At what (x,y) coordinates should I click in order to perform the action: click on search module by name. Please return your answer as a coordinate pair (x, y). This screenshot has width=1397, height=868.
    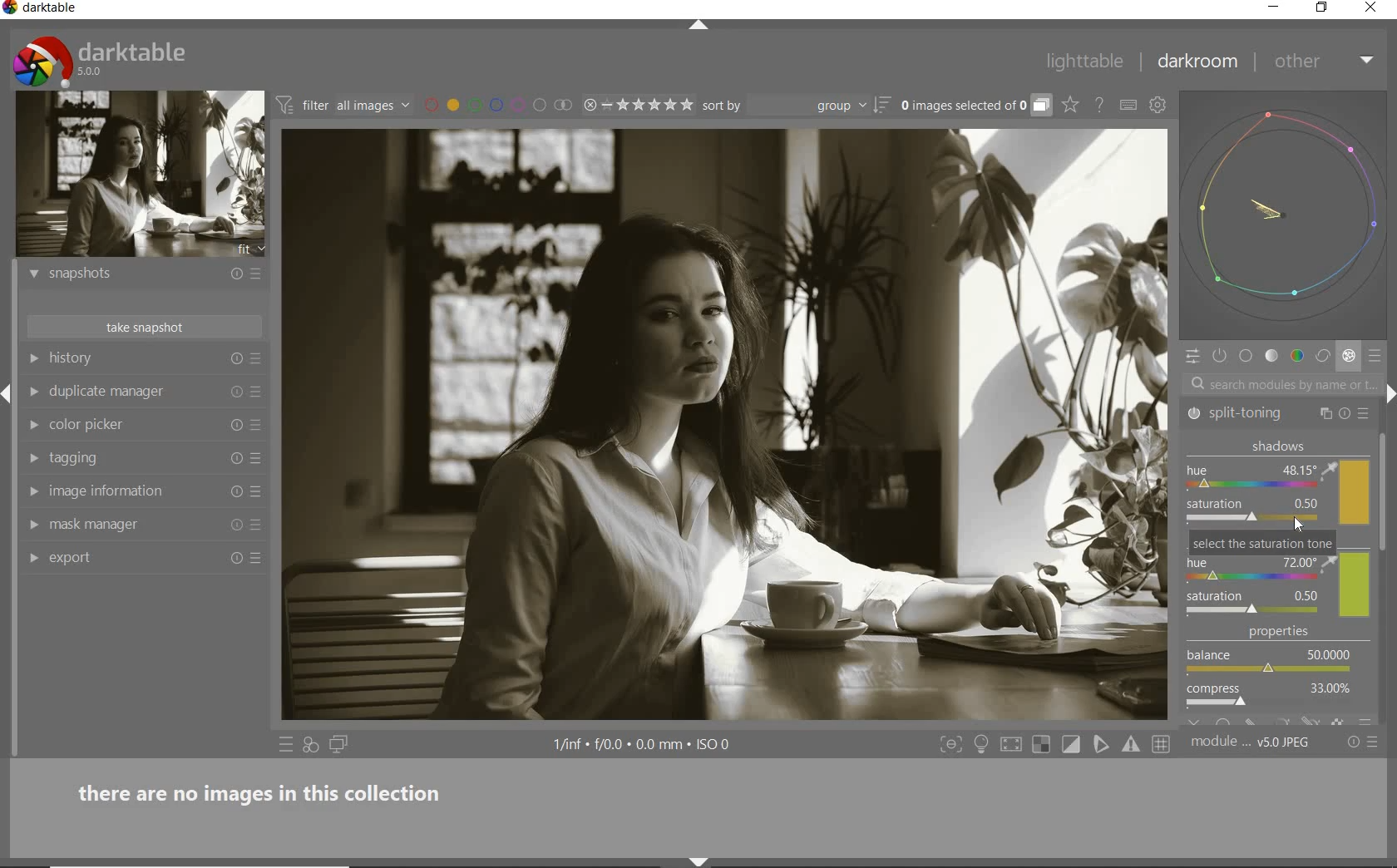
    Looking at the image, I should click on (1280, 383).